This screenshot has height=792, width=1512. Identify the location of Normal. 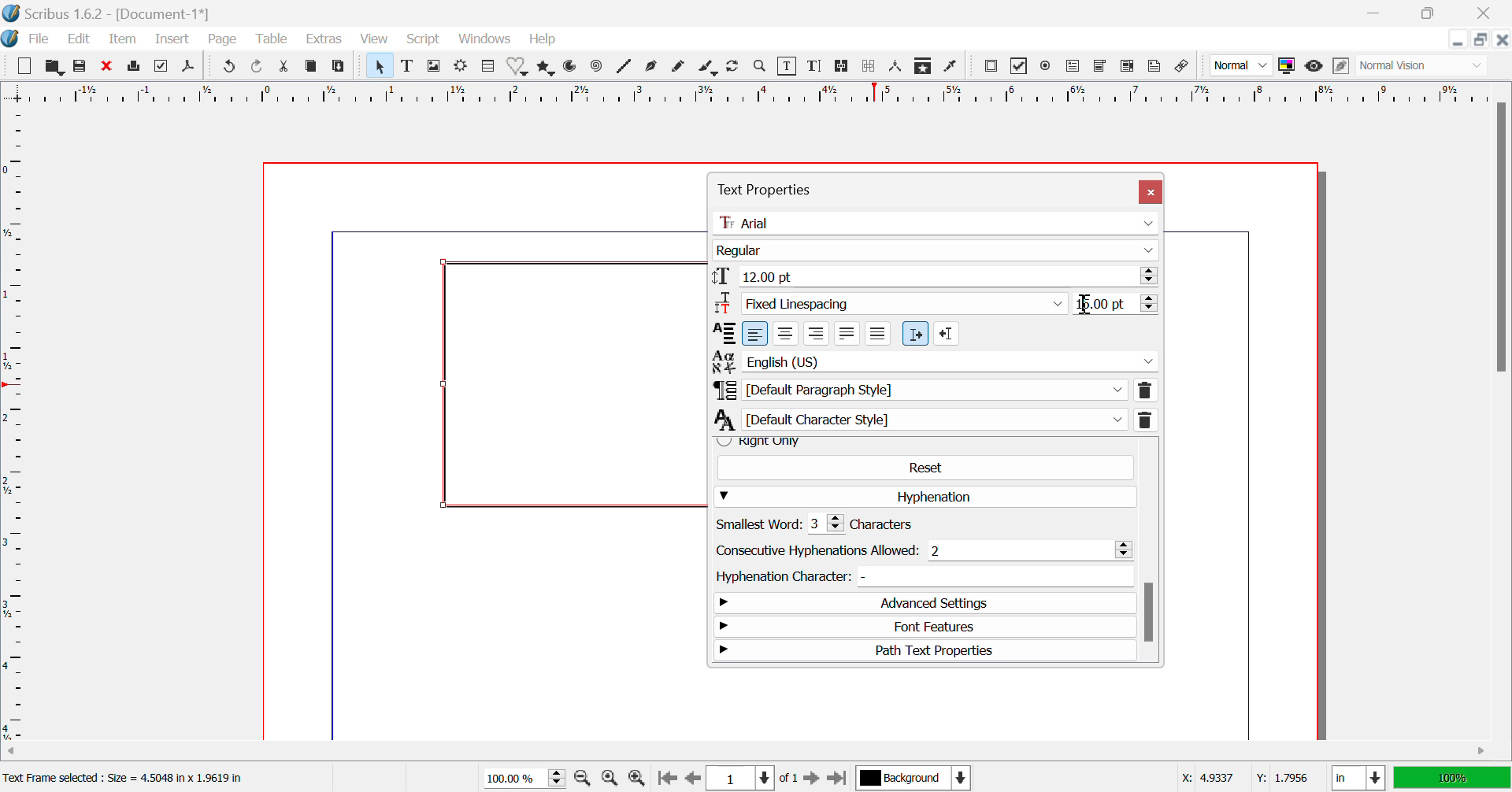
(1241, 68).